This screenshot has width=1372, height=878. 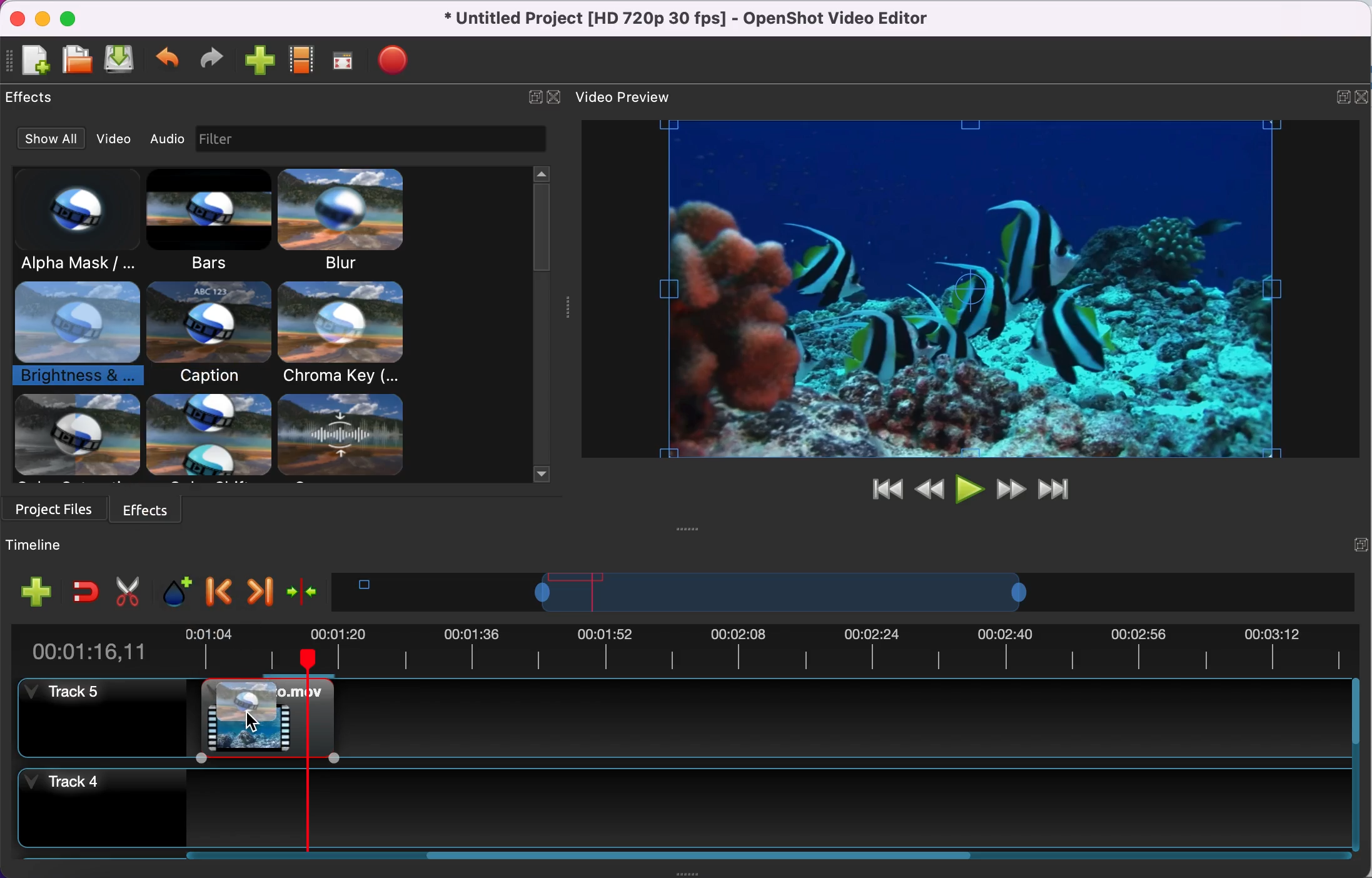 What do you see at coordinates (680, 19) in the screenshot?
I see `title - • Untitled Project [HD 720p 30 fps] - OpenShot Video Editor` at bounding box center [680, 19].